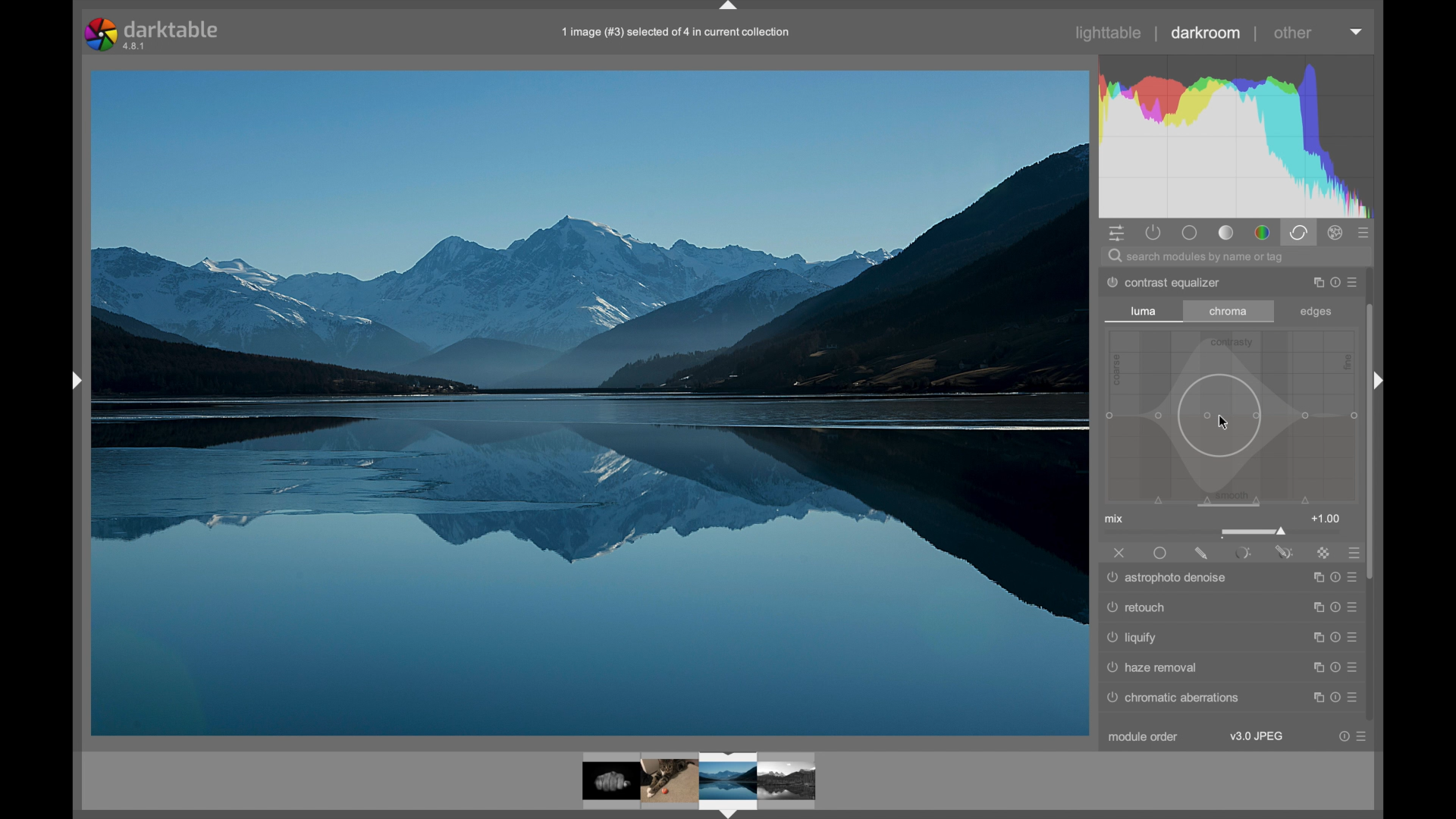  I want to click on more options, so click(1352, 736).